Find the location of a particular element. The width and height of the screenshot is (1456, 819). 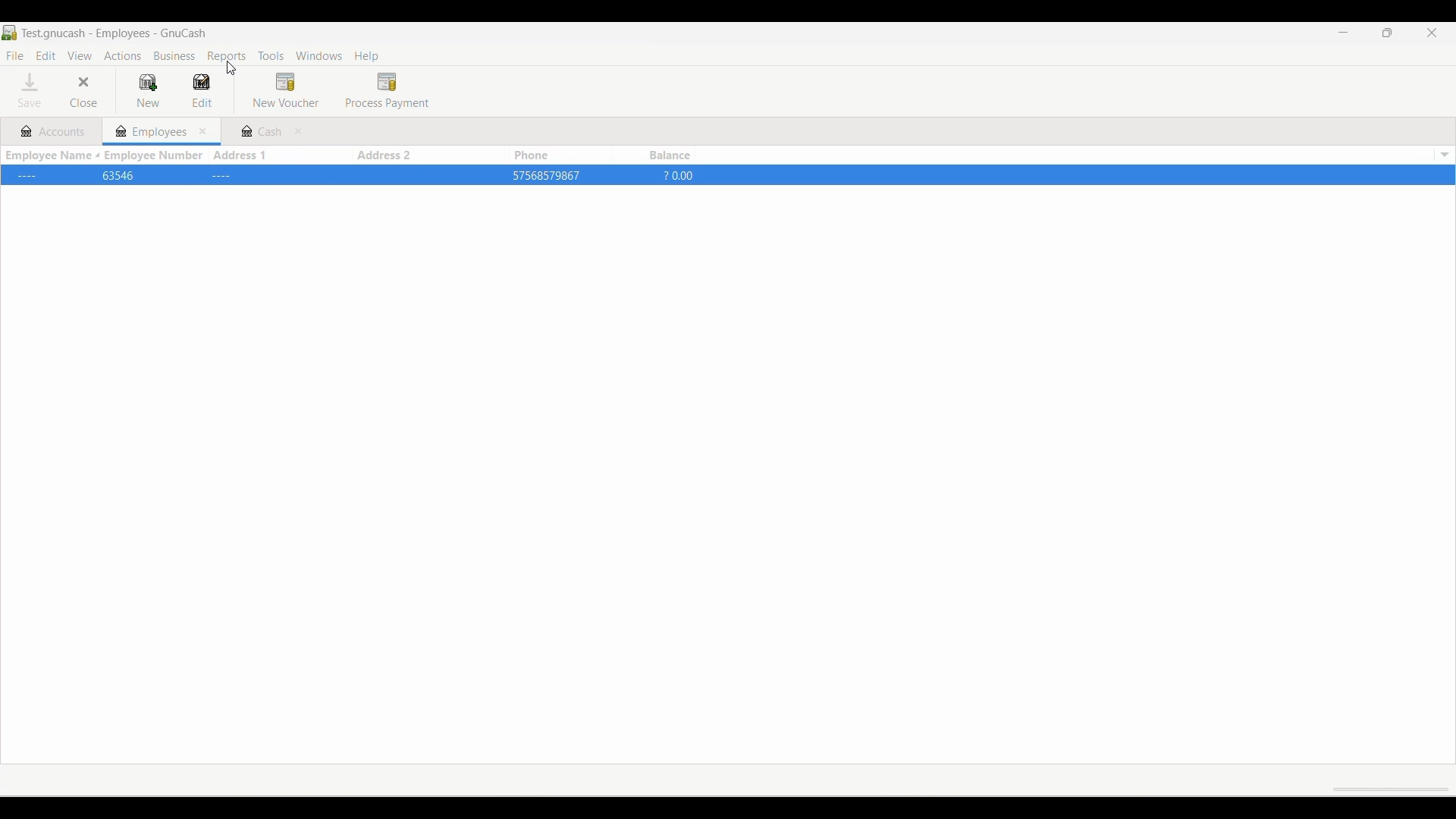

List of all icons to show/hide is located at coordinates (1445, 155).